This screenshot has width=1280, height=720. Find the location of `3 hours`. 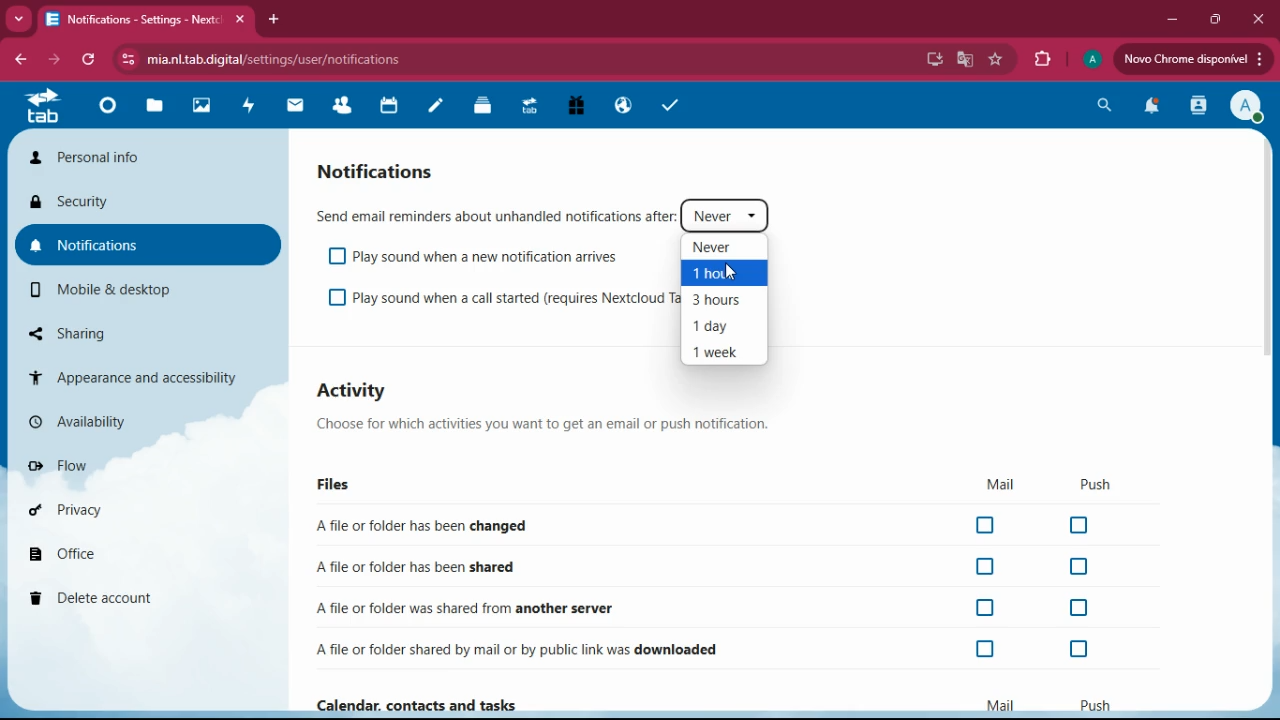

3 hours is located at coordinates (723, 302).